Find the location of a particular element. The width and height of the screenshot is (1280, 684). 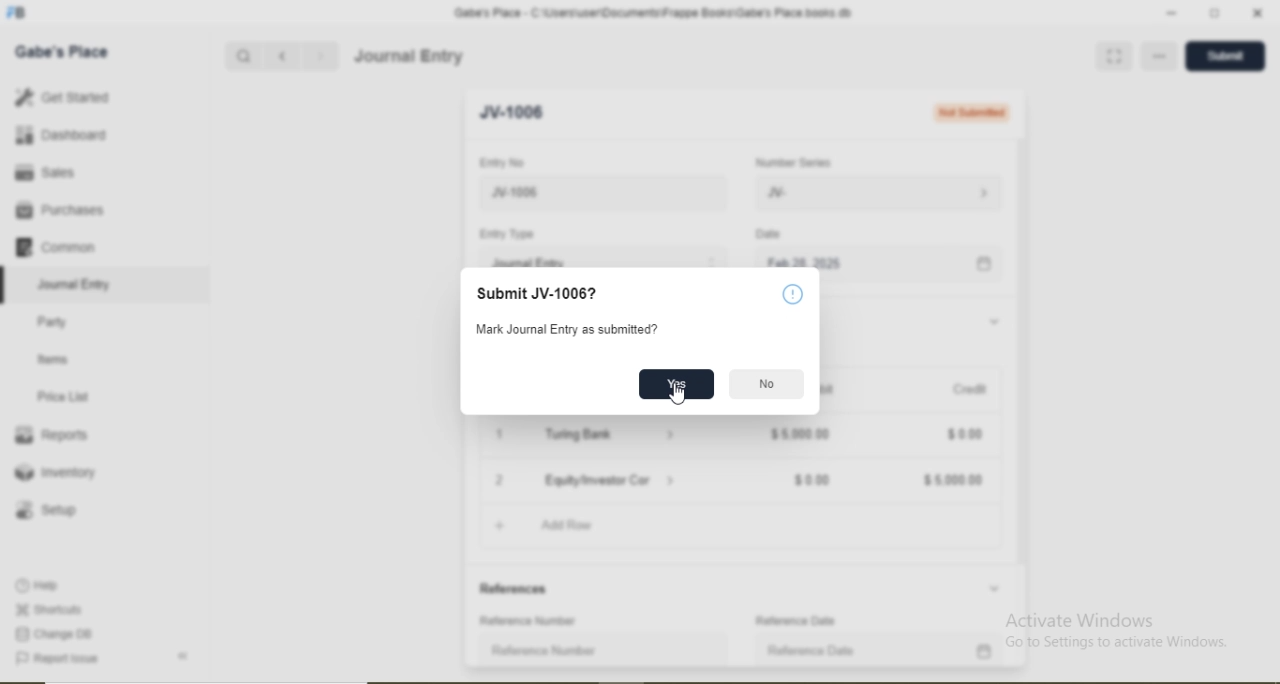

‘Mark Journal Entry as submitted? is located at coordinates (566, 329).